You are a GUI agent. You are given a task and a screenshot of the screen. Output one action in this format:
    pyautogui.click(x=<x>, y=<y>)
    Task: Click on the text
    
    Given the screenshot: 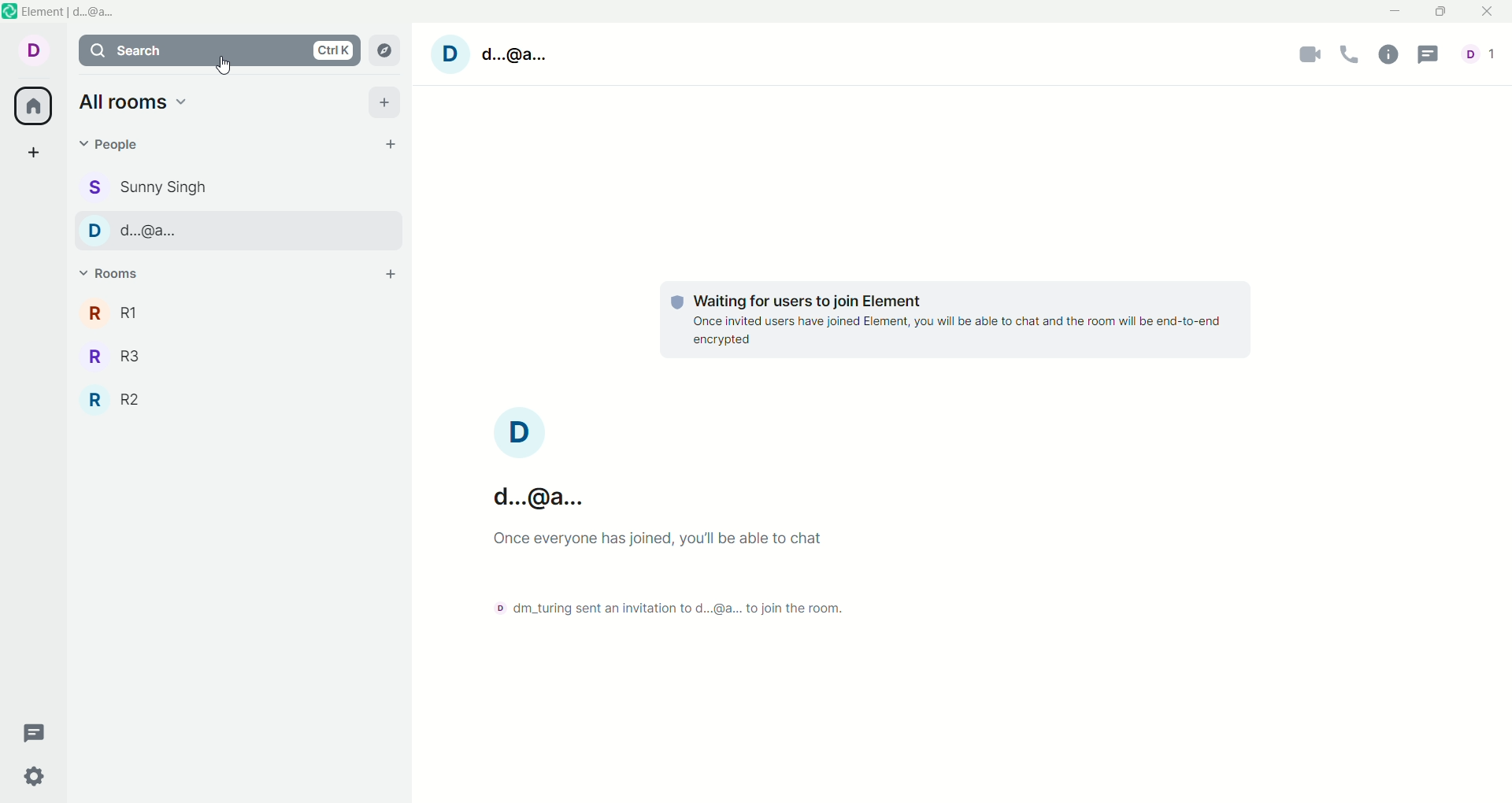 What is the action you would take?
    pyautogui.click(x=725, y=577)
    